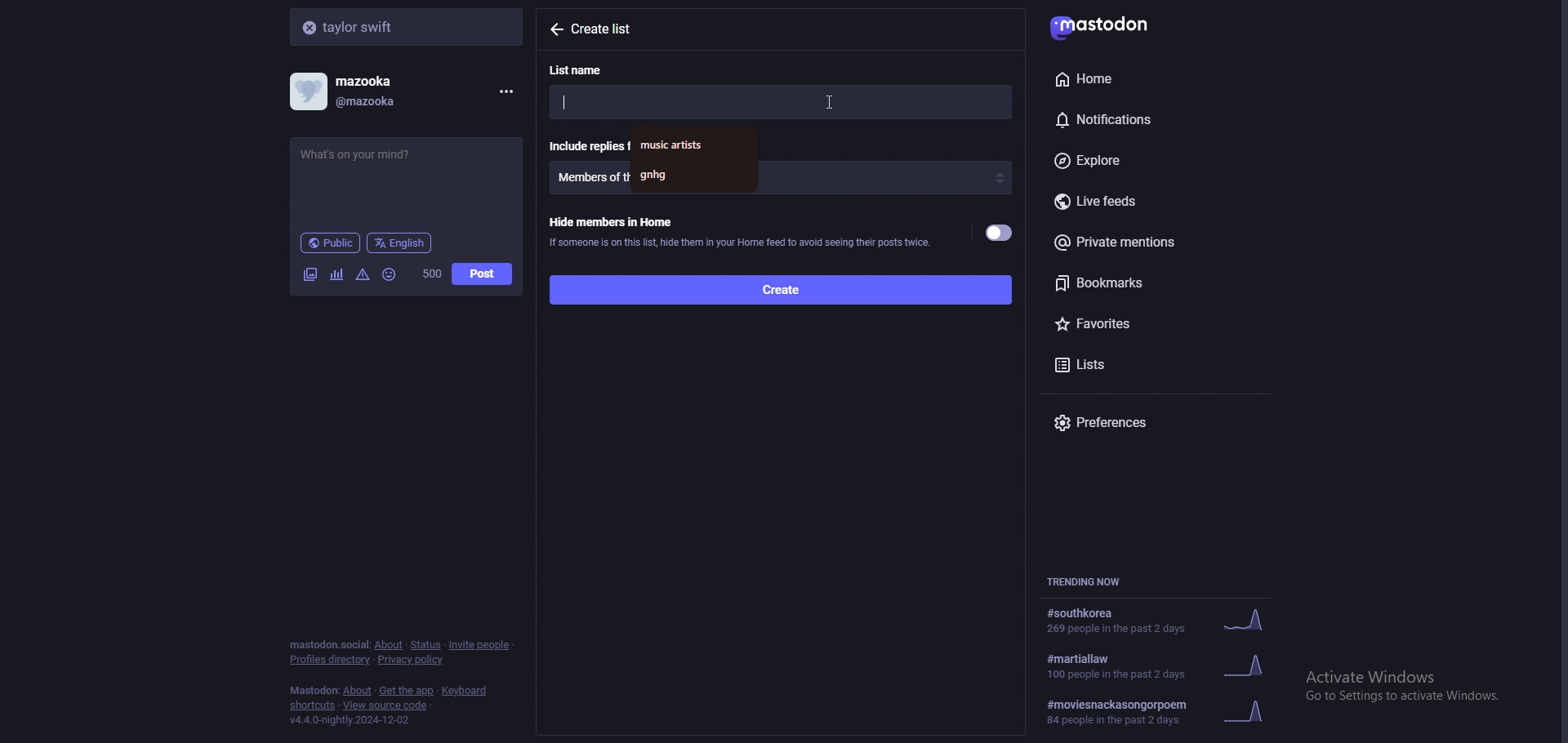  Describe the element at coordinates (388, 645) in the screenshot. I see `about` at that location.